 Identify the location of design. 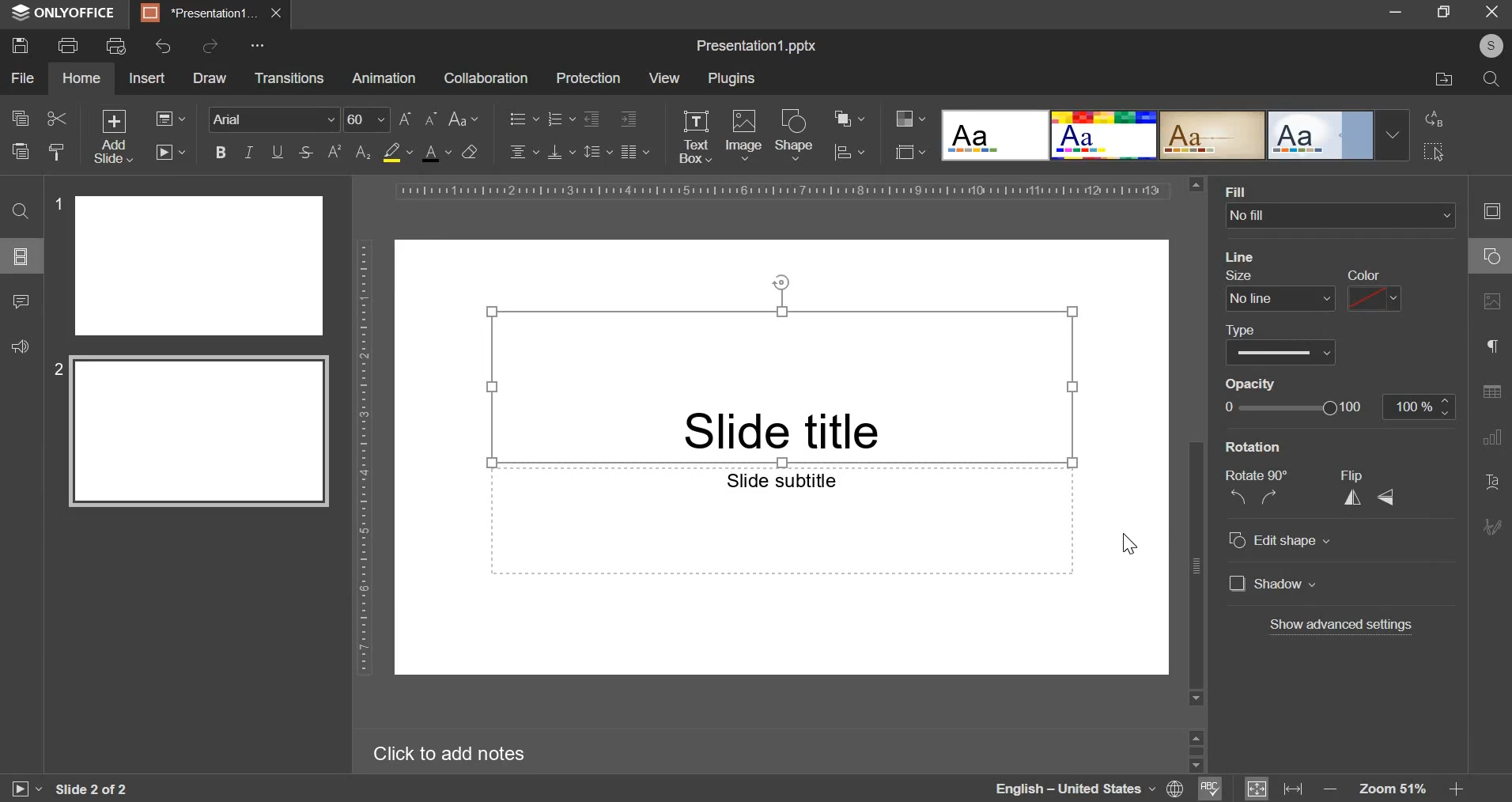
(1175, 134).